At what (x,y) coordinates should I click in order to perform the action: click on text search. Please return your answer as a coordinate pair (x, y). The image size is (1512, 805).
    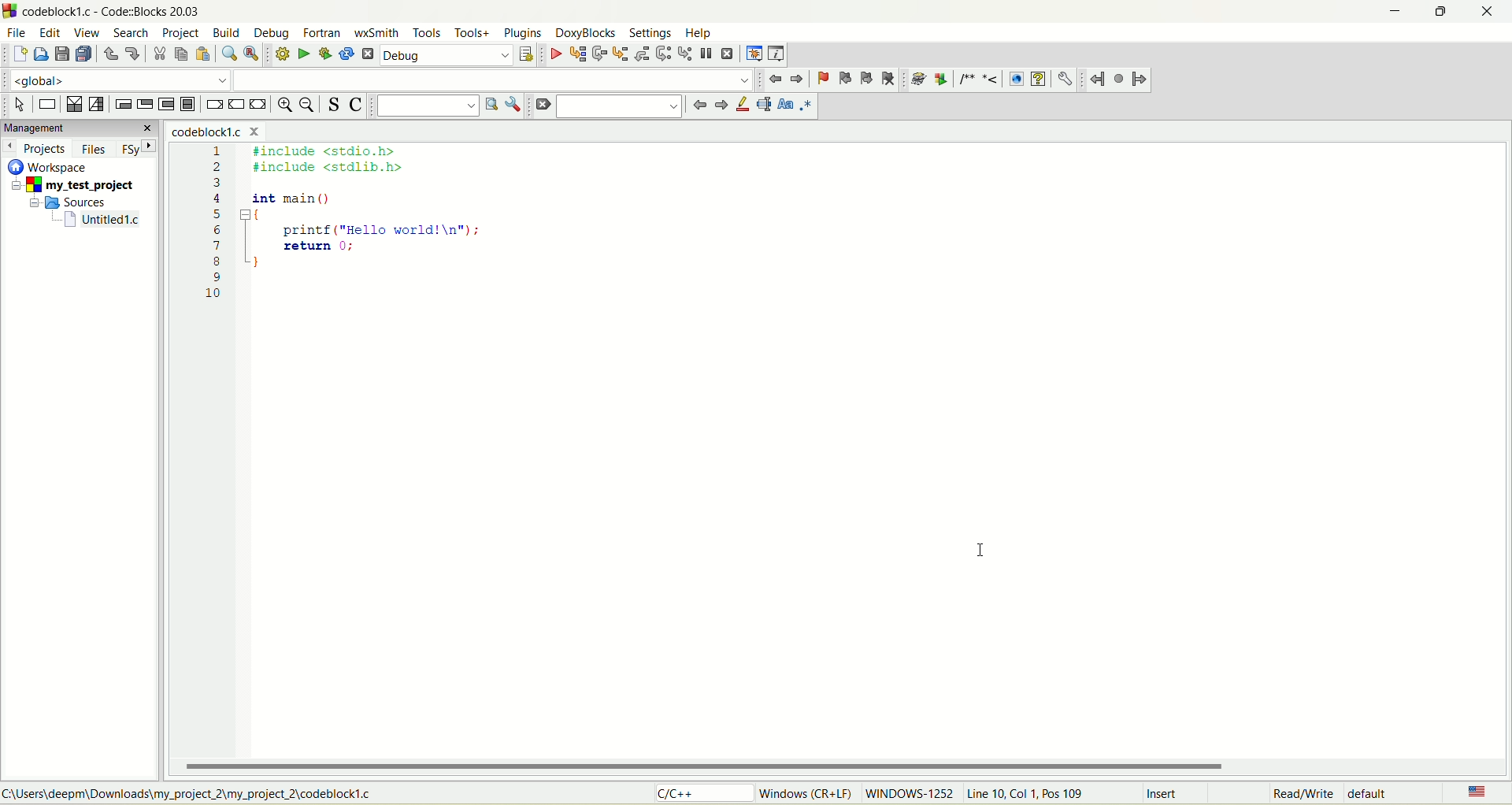
    Looking at the image, I should click on (427, 106).